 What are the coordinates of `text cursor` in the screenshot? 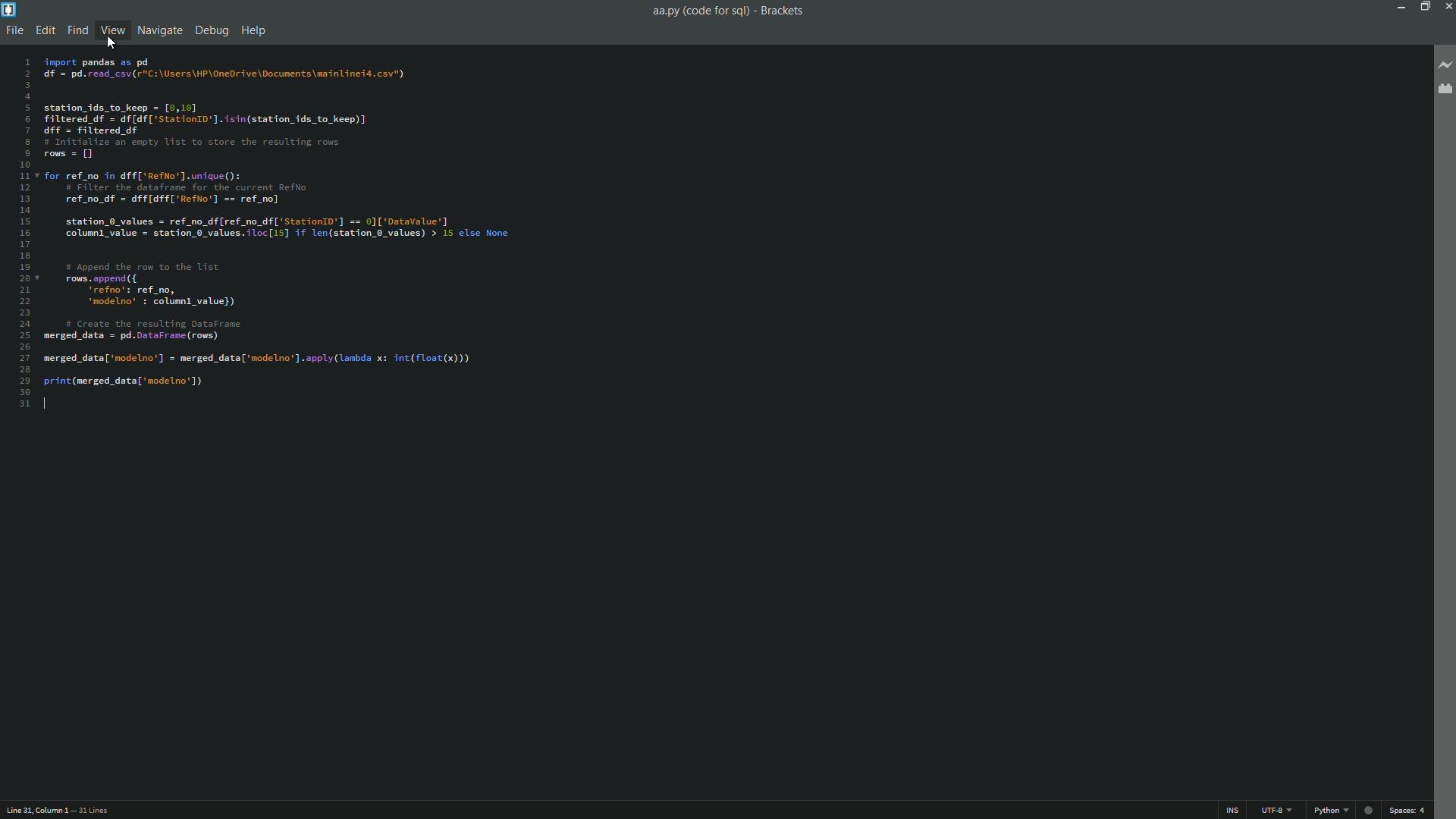 It's located at (47, 405).